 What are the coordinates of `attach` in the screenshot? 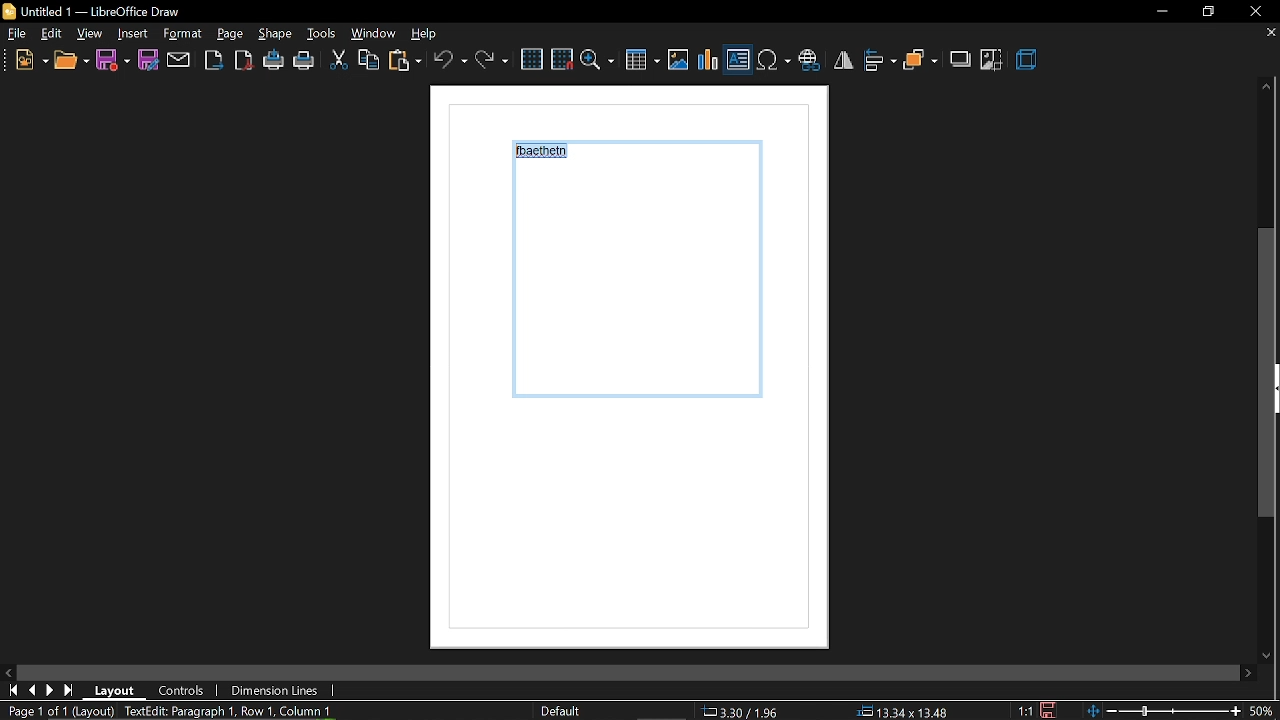 It's located at (178, 61).